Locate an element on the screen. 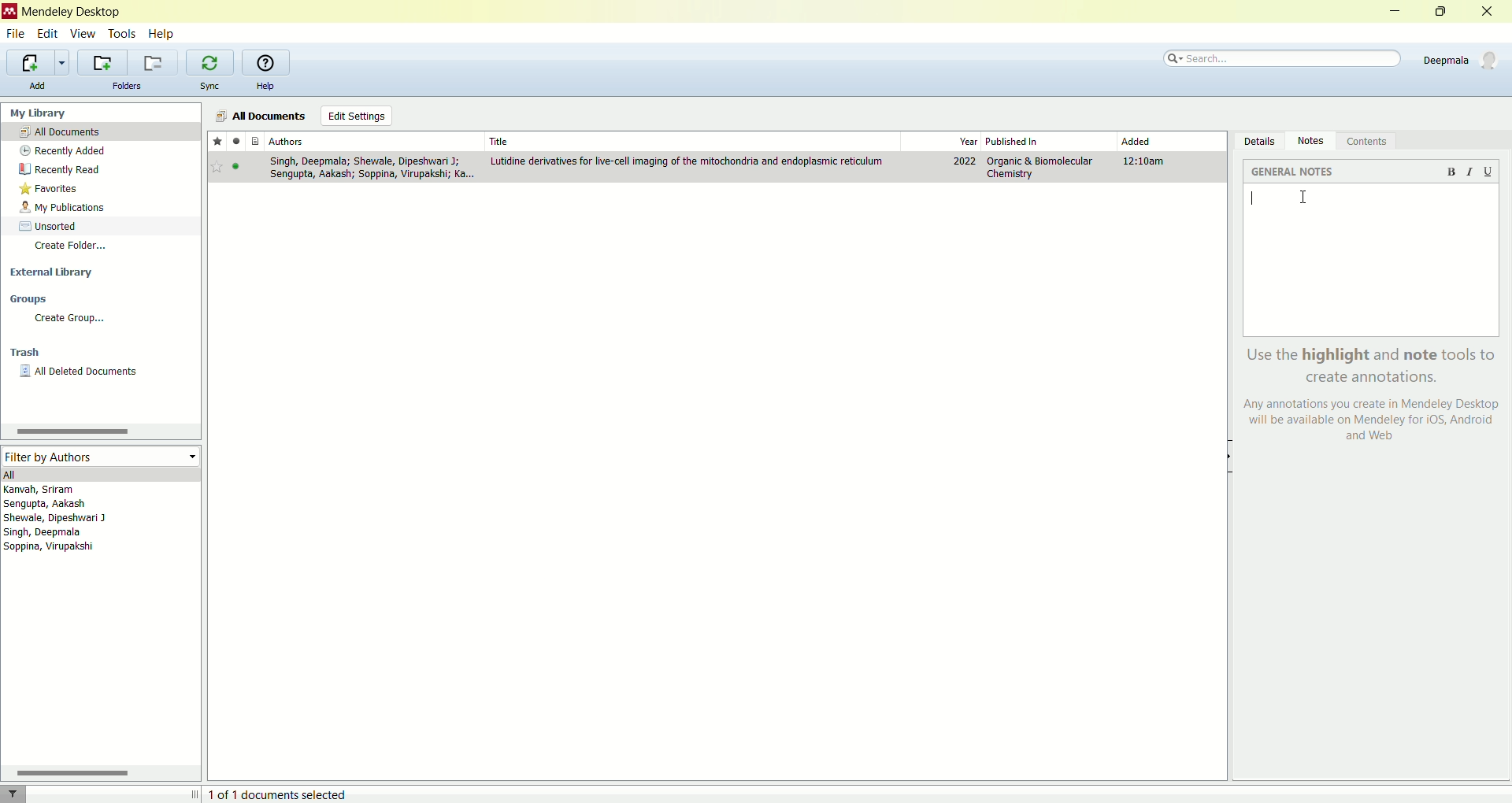 Image resolution: width=1512 pixels, height=803 pixels. underline is located at coordinates (1488, 172).